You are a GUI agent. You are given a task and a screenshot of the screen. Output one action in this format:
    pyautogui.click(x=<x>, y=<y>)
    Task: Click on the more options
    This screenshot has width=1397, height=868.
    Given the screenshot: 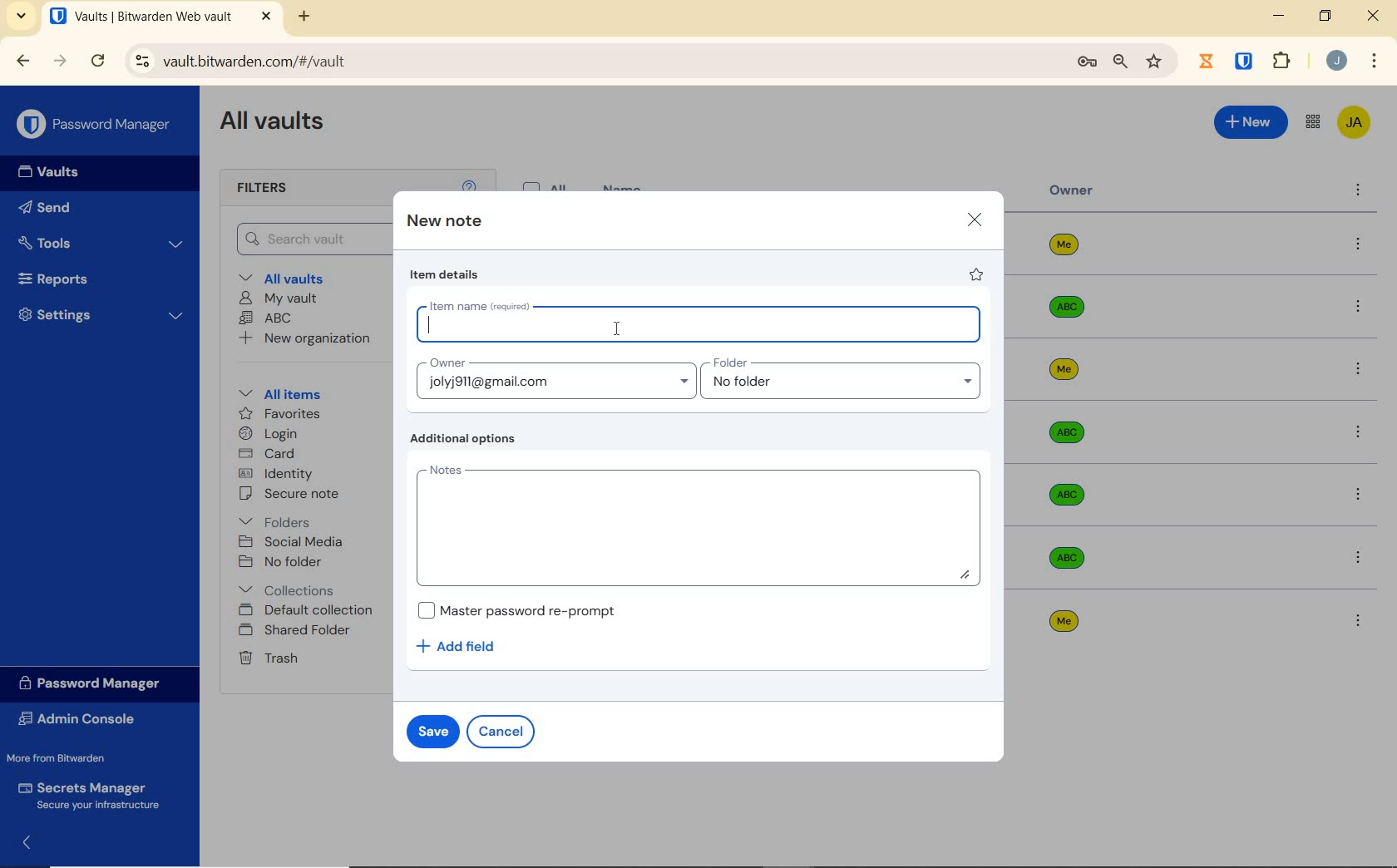 What is the action you would take?
    pyautogui.click(x=1359, y=245)
    